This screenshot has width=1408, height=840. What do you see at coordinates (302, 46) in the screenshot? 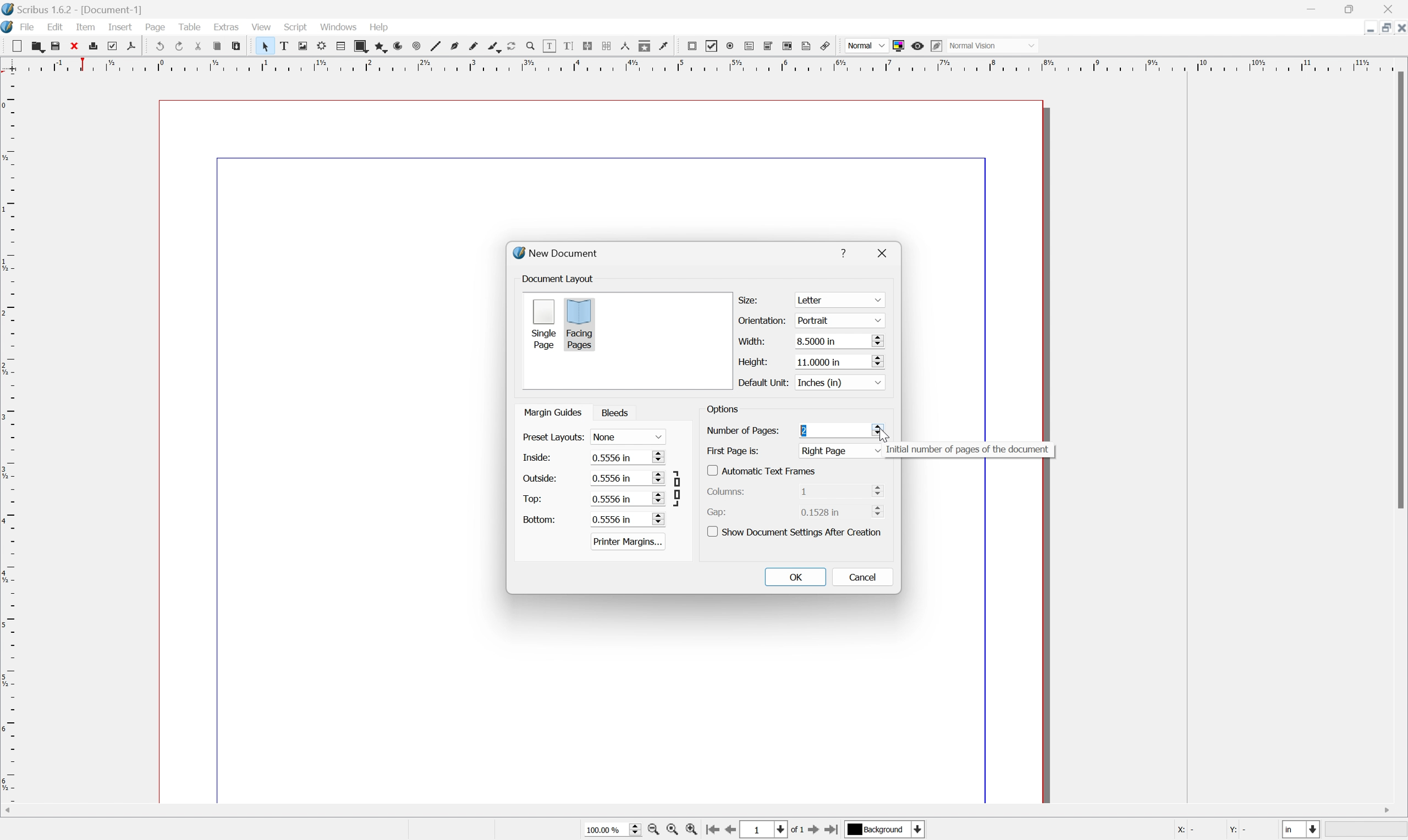
I see `Image frame` at bounding box center [302, 46].